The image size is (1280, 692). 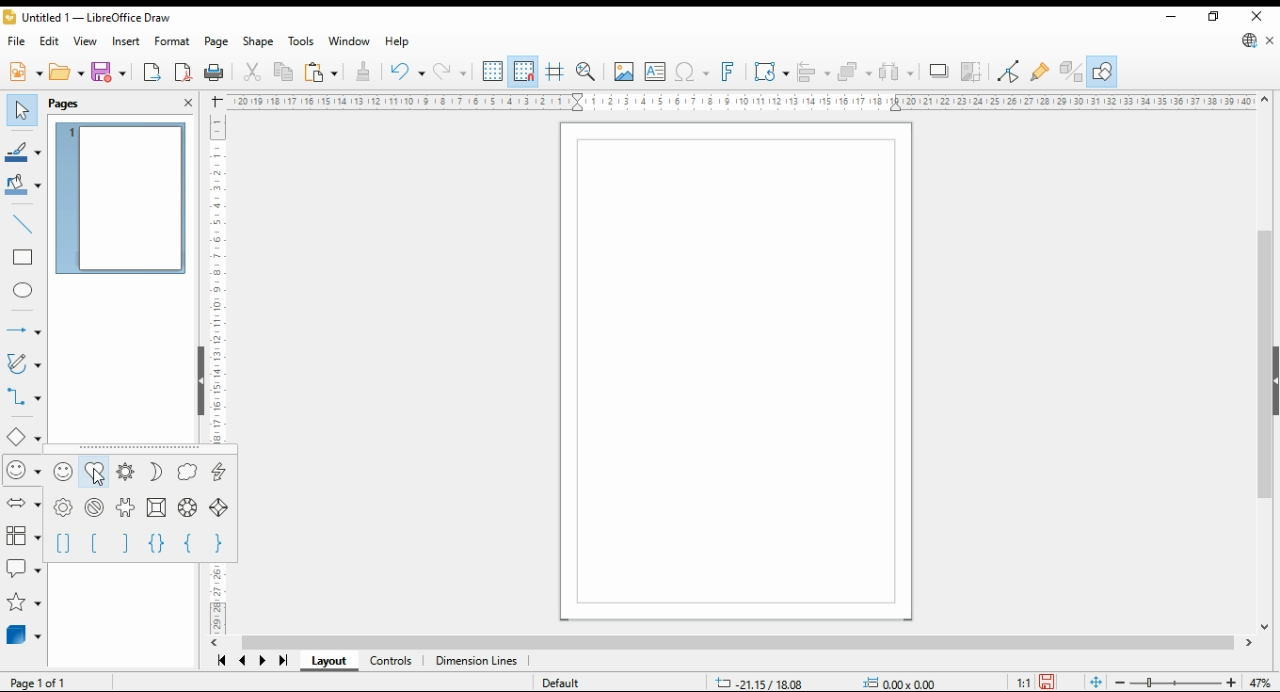 What do you see at coordinates (822, 682) in the screenshot?
I see `status` at bounding box center [822, 682].